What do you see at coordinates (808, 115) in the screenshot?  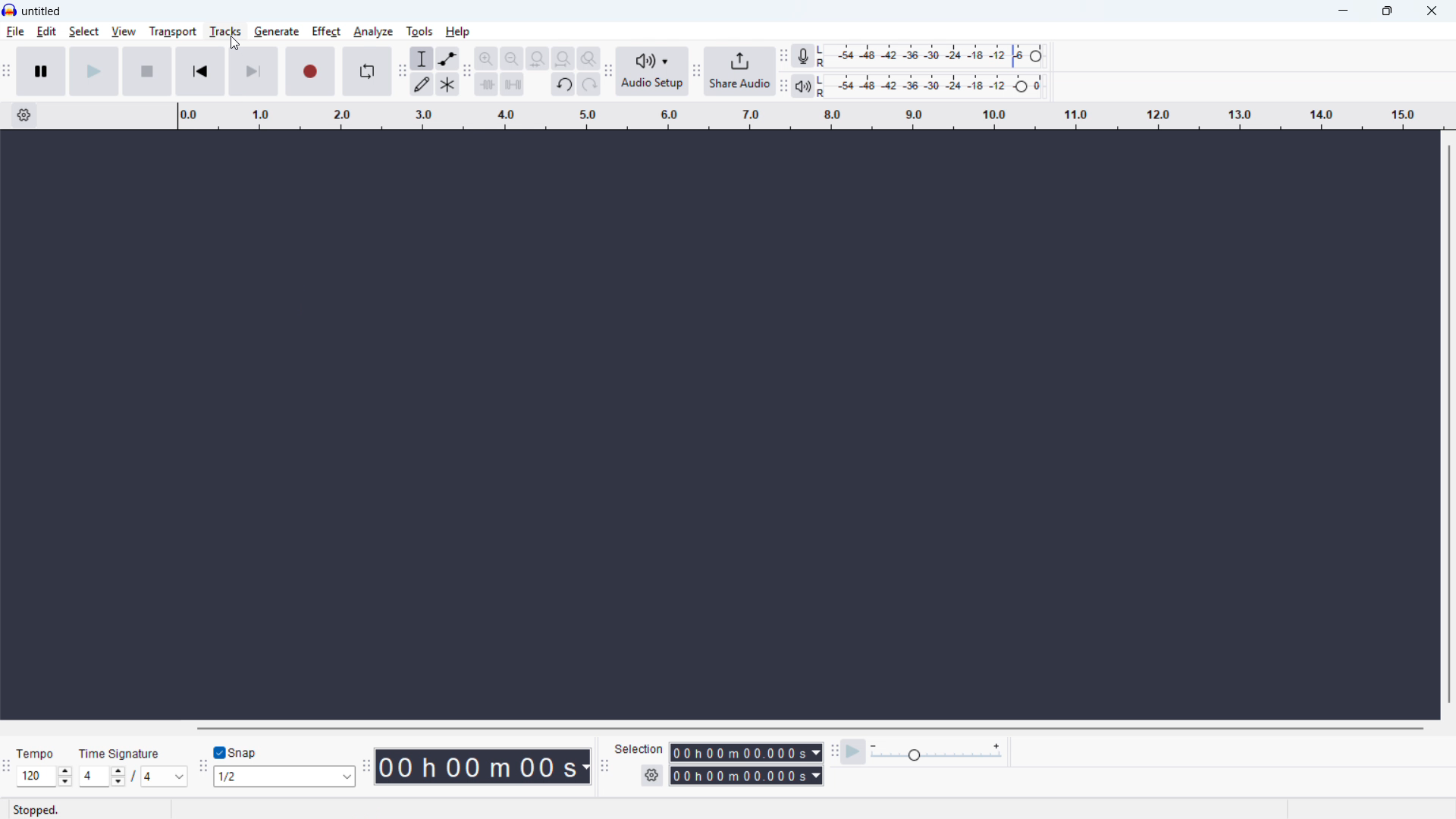 I see `Timeline ` at bounding box center [808, 115].